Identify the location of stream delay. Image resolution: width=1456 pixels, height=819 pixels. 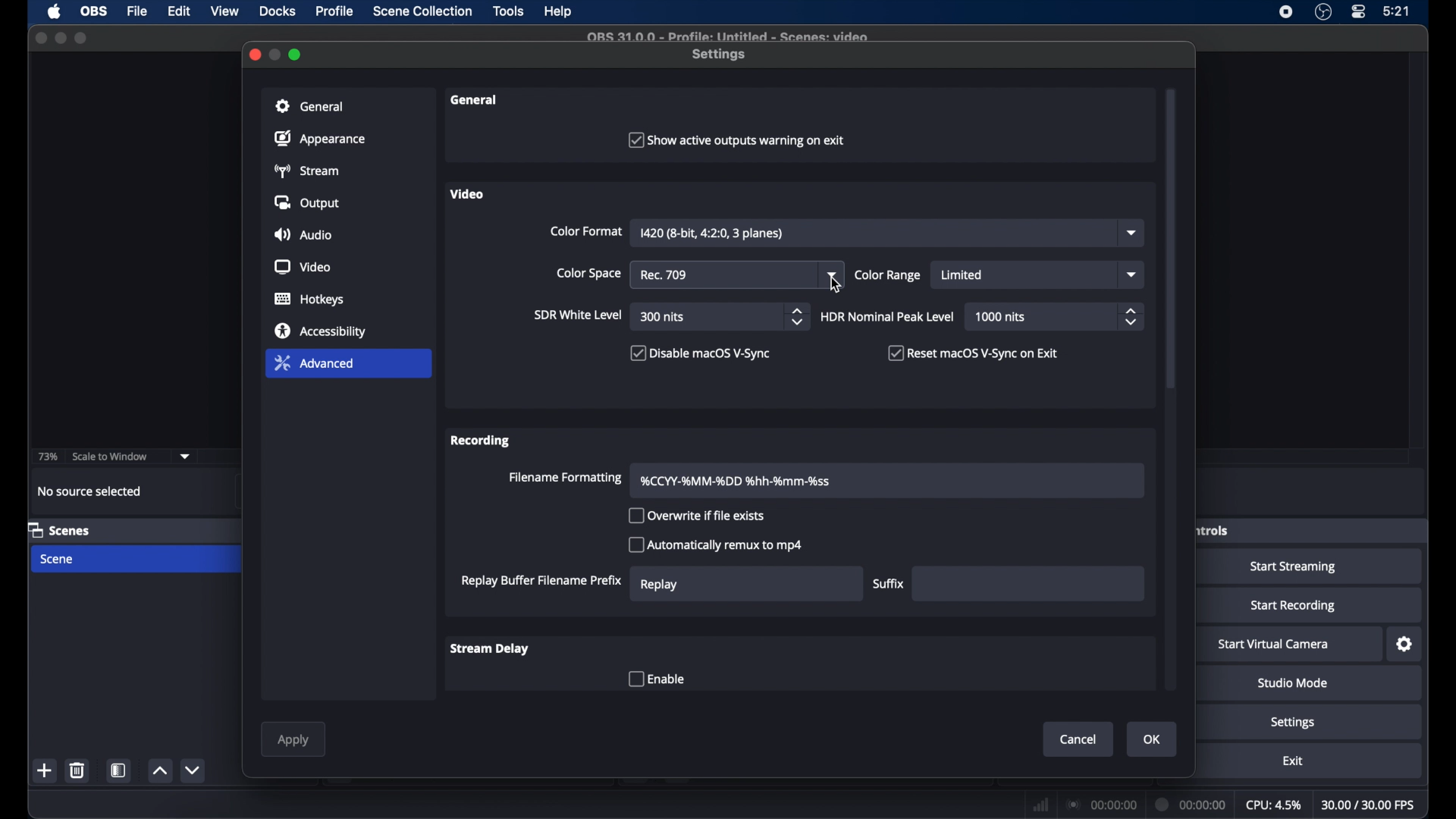
(490, 649).